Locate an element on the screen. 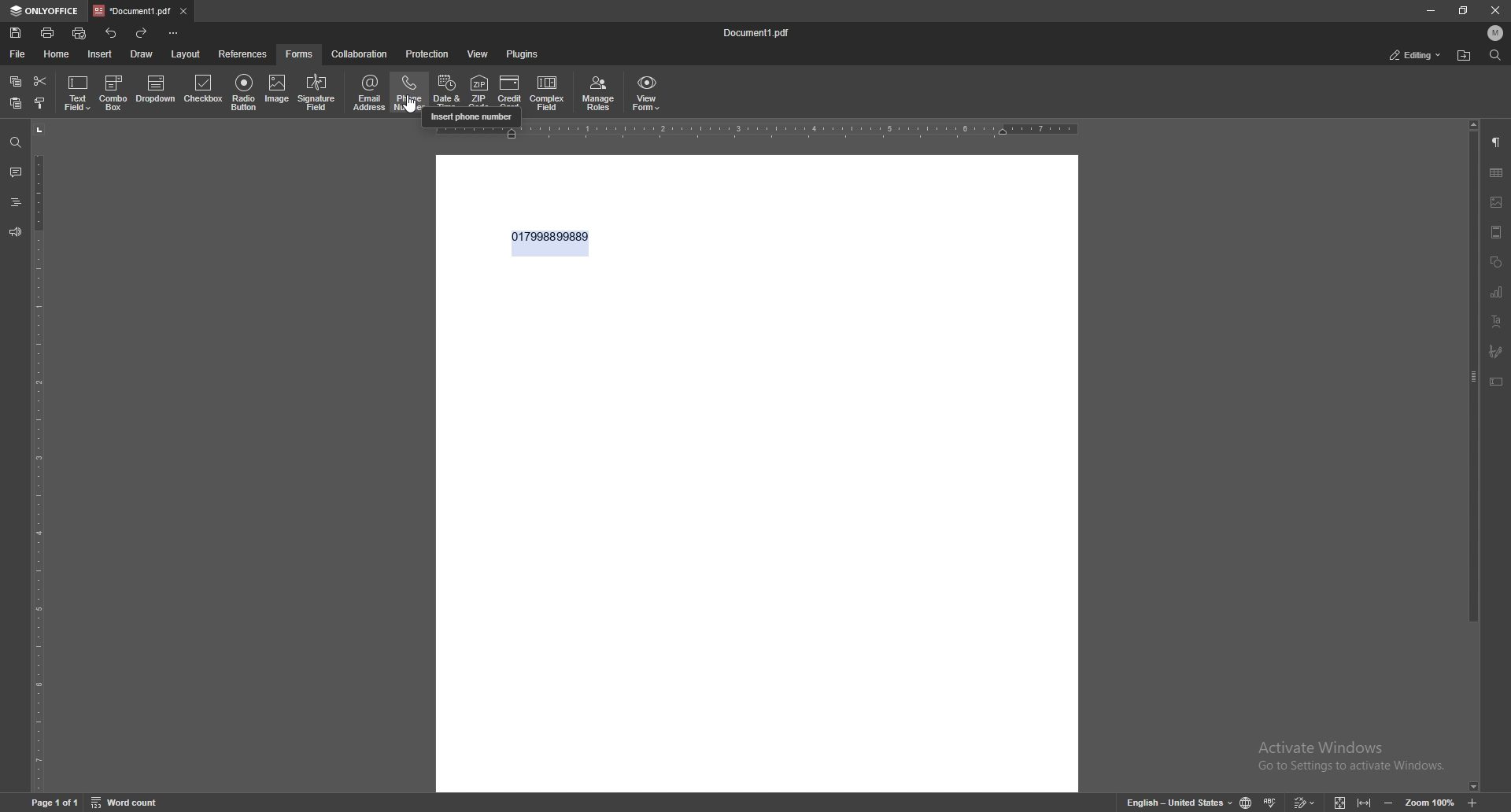  save is located at coordinates (16, 34).